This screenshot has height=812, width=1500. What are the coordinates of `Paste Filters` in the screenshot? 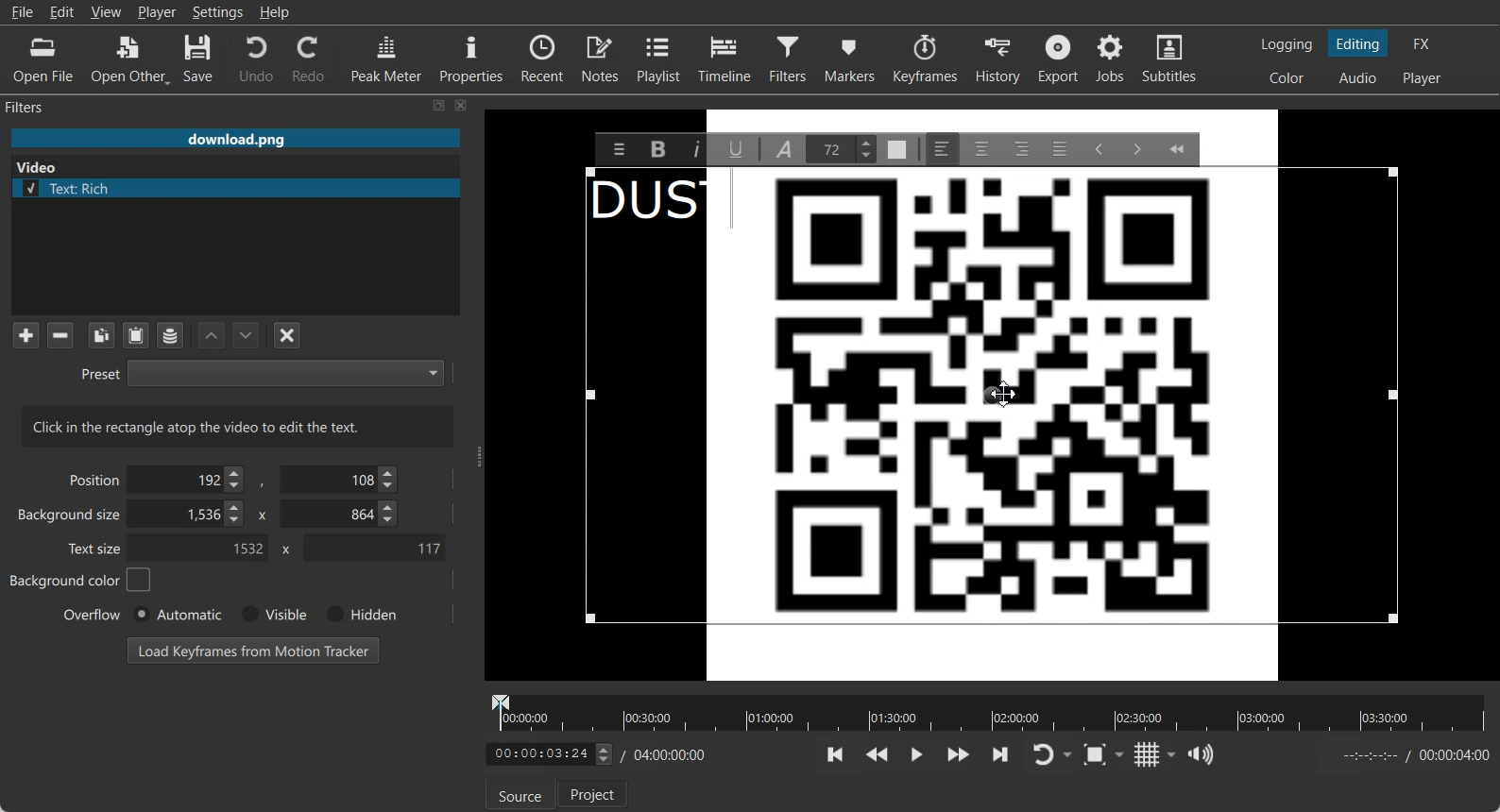 It's located at (136, 336).